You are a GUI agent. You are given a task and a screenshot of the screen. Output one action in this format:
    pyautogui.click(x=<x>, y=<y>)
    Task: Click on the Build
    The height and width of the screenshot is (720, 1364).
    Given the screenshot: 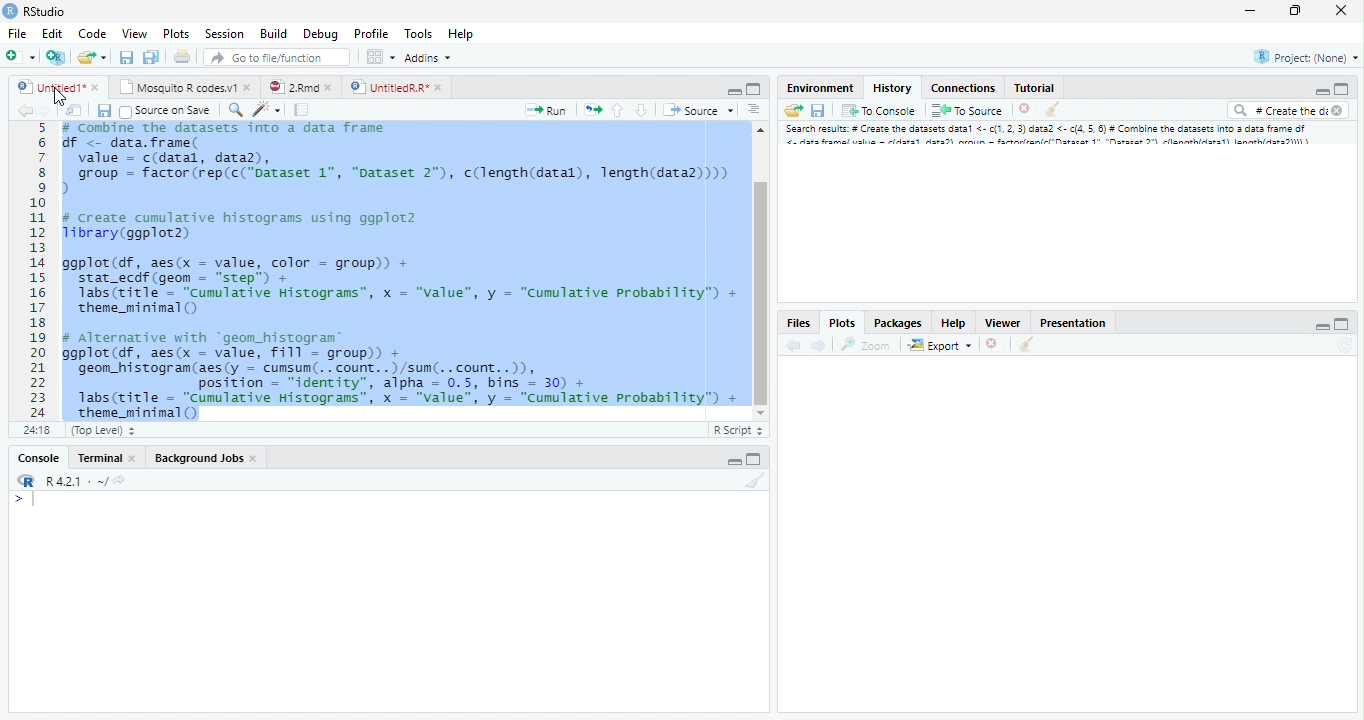 What is the action you would take?
    pyautogui.click(x=275, y=34)
    